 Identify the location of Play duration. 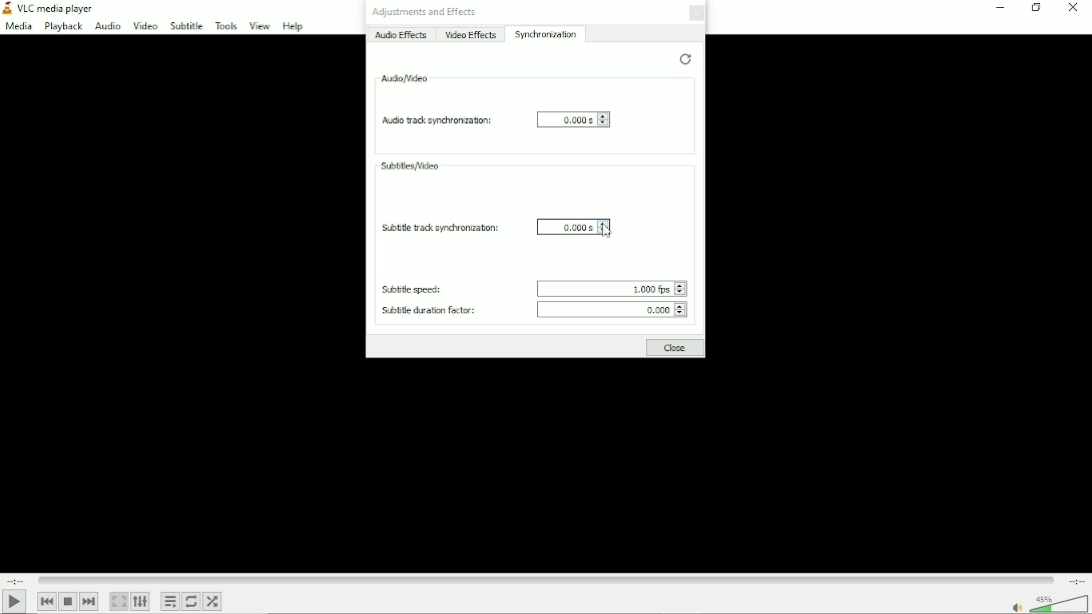
(546, 579).